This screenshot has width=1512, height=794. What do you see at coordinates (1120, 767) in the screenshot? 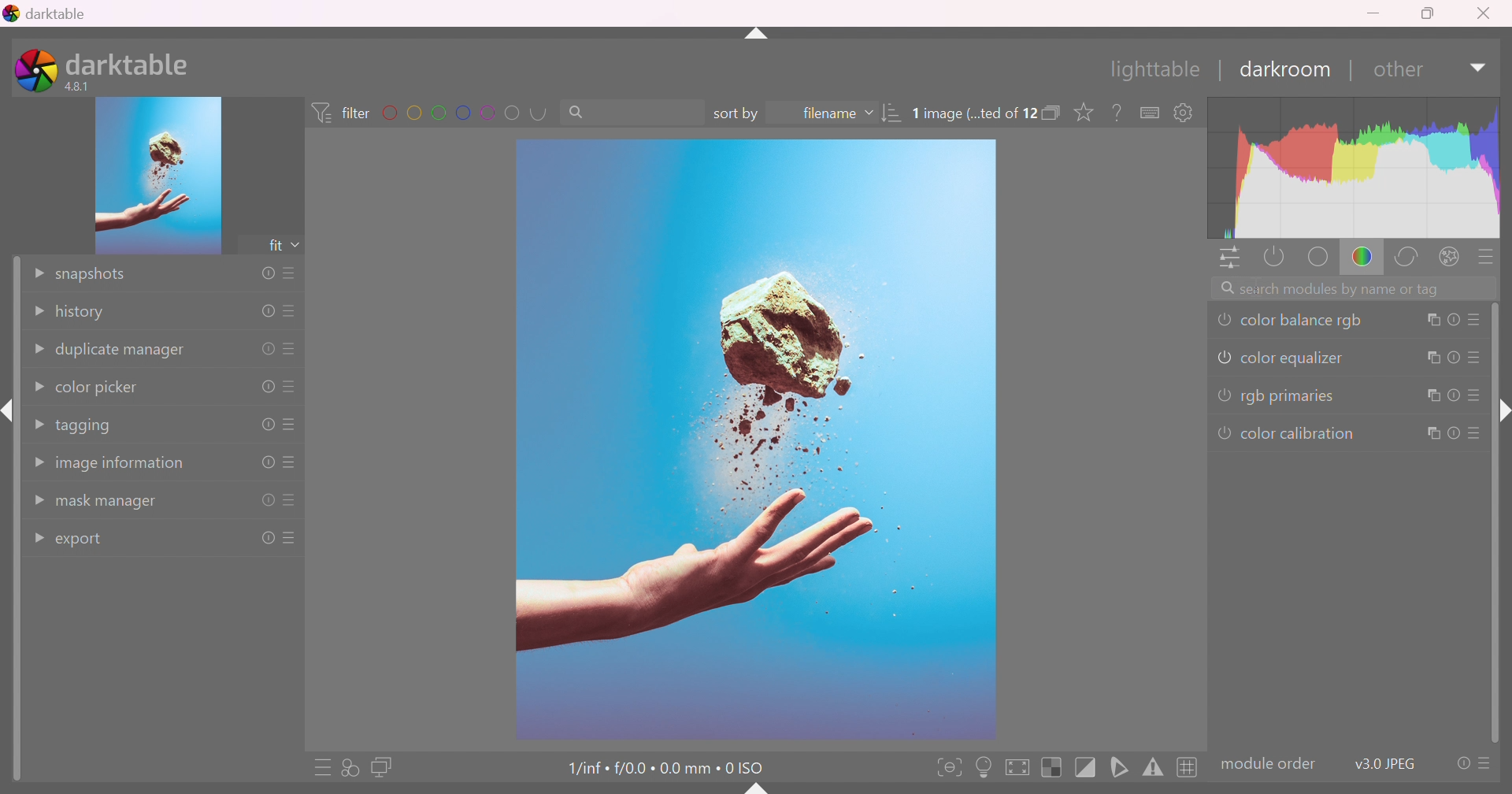
I see `toggle softproofing` at bounding box center [1120, 767].